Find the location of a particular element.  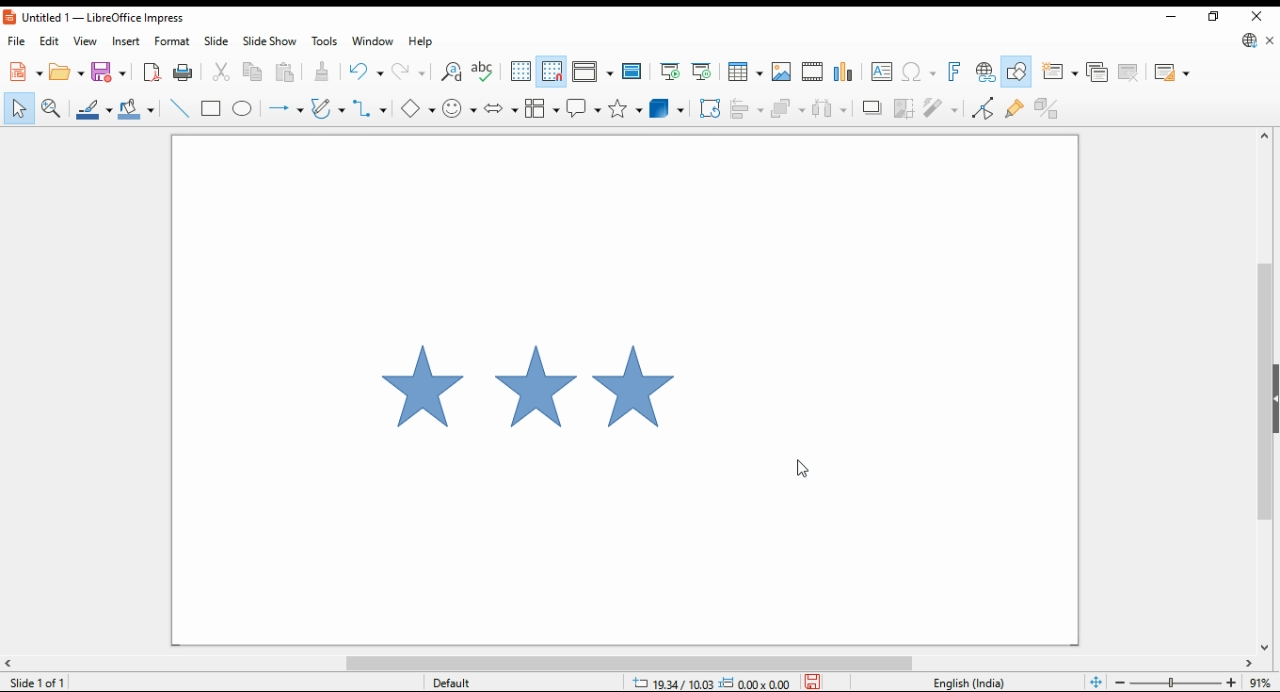

stars and banners is located at coordinates (624, 108).